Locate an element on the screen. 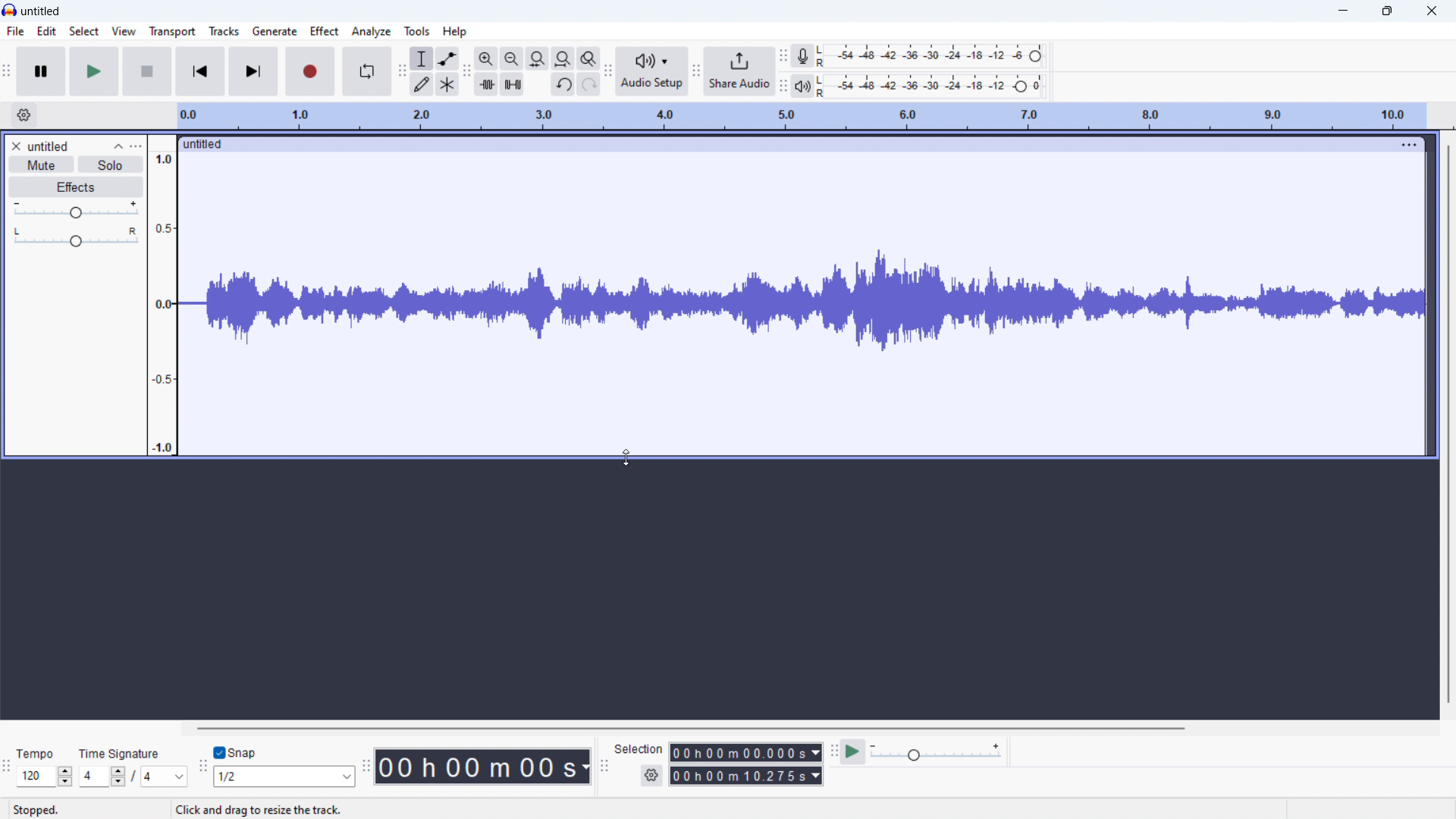  title is located at coordinates (39, 11).